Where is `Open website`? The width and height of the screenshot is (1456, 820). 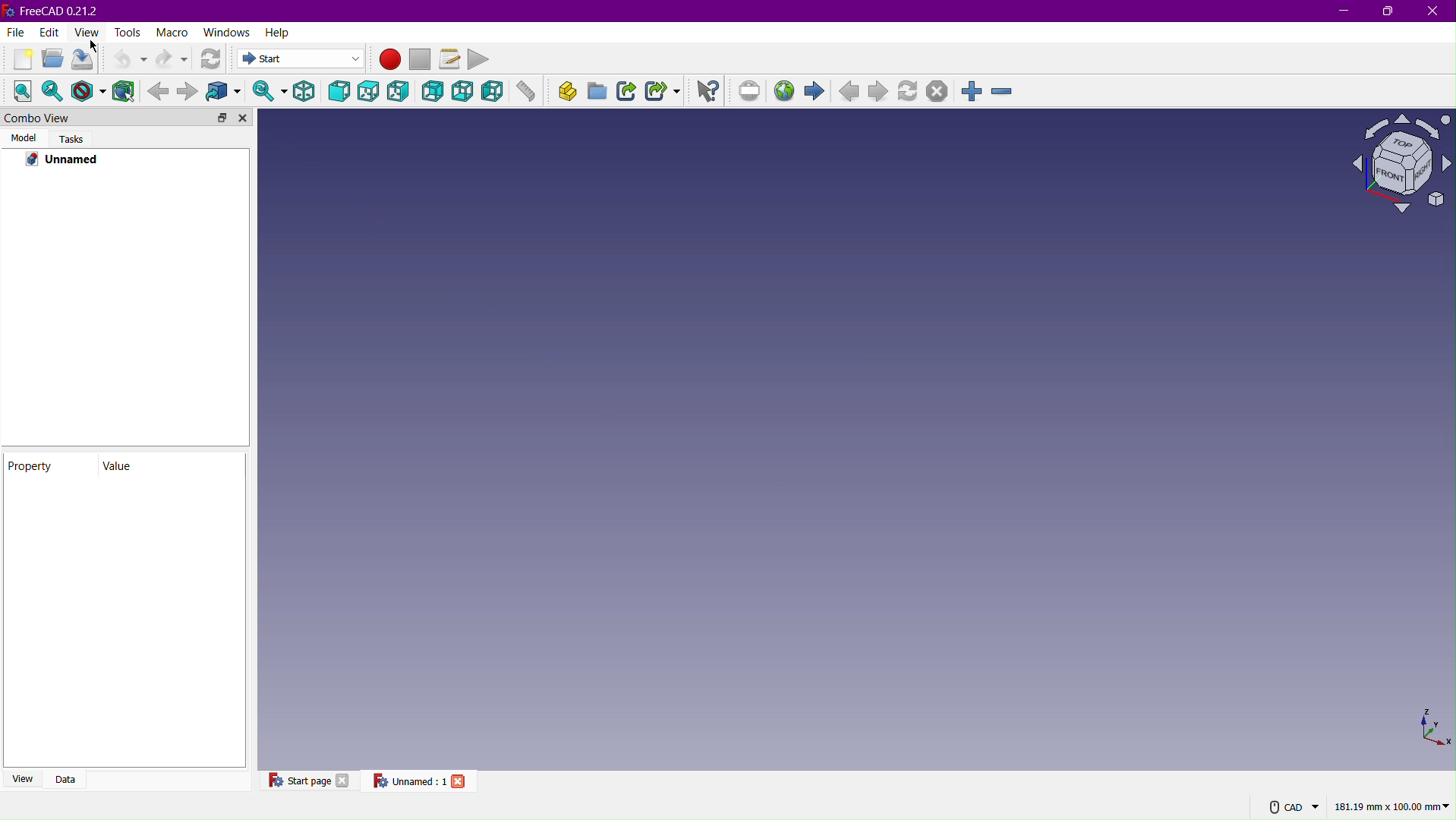
Open website is located at coordinates (783, 93).